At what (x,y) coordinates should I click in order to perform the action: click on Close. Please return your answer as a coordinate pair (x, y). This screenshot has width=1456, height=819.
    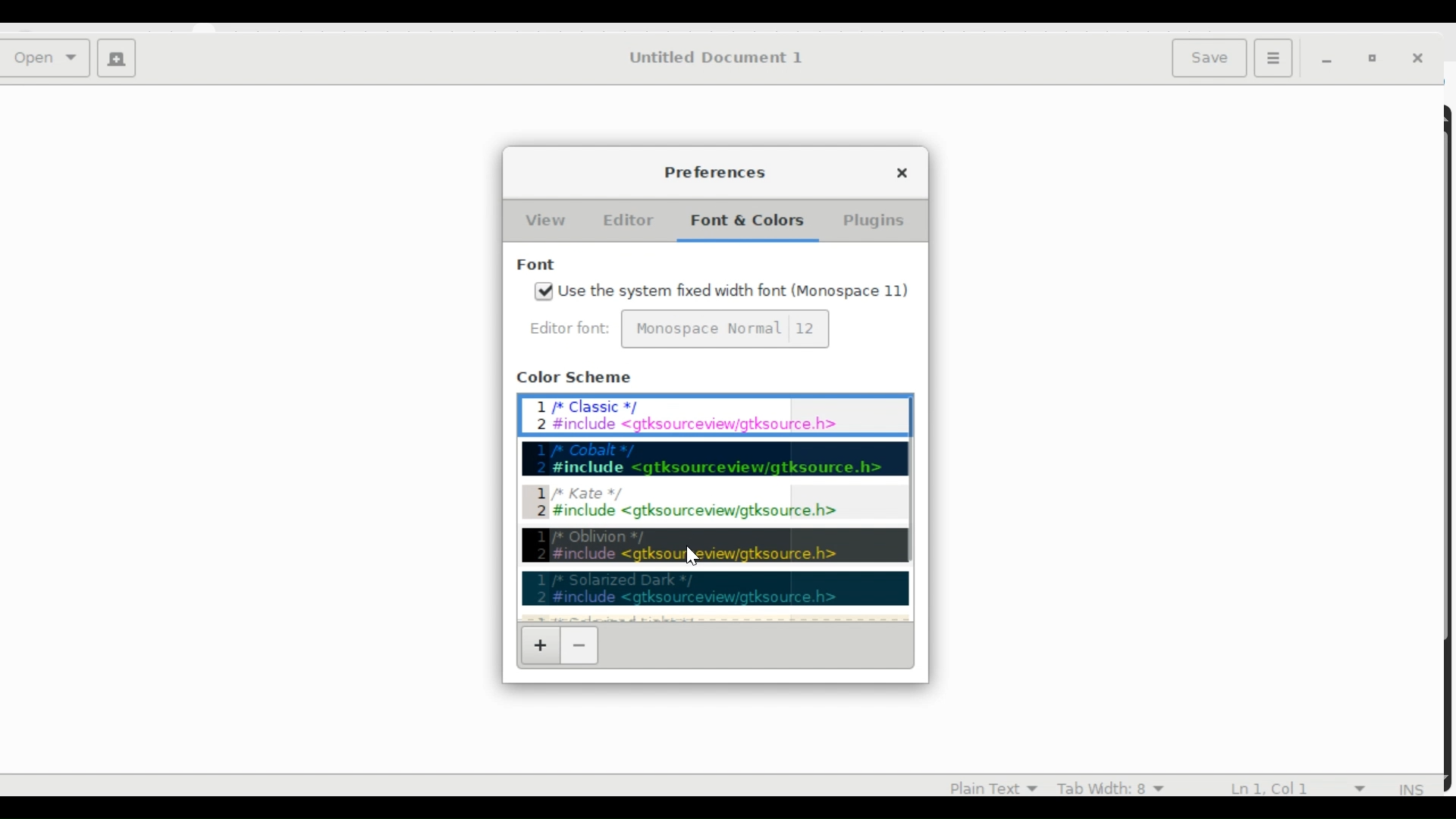
    Looking at the image, I should click on (1422, 60).